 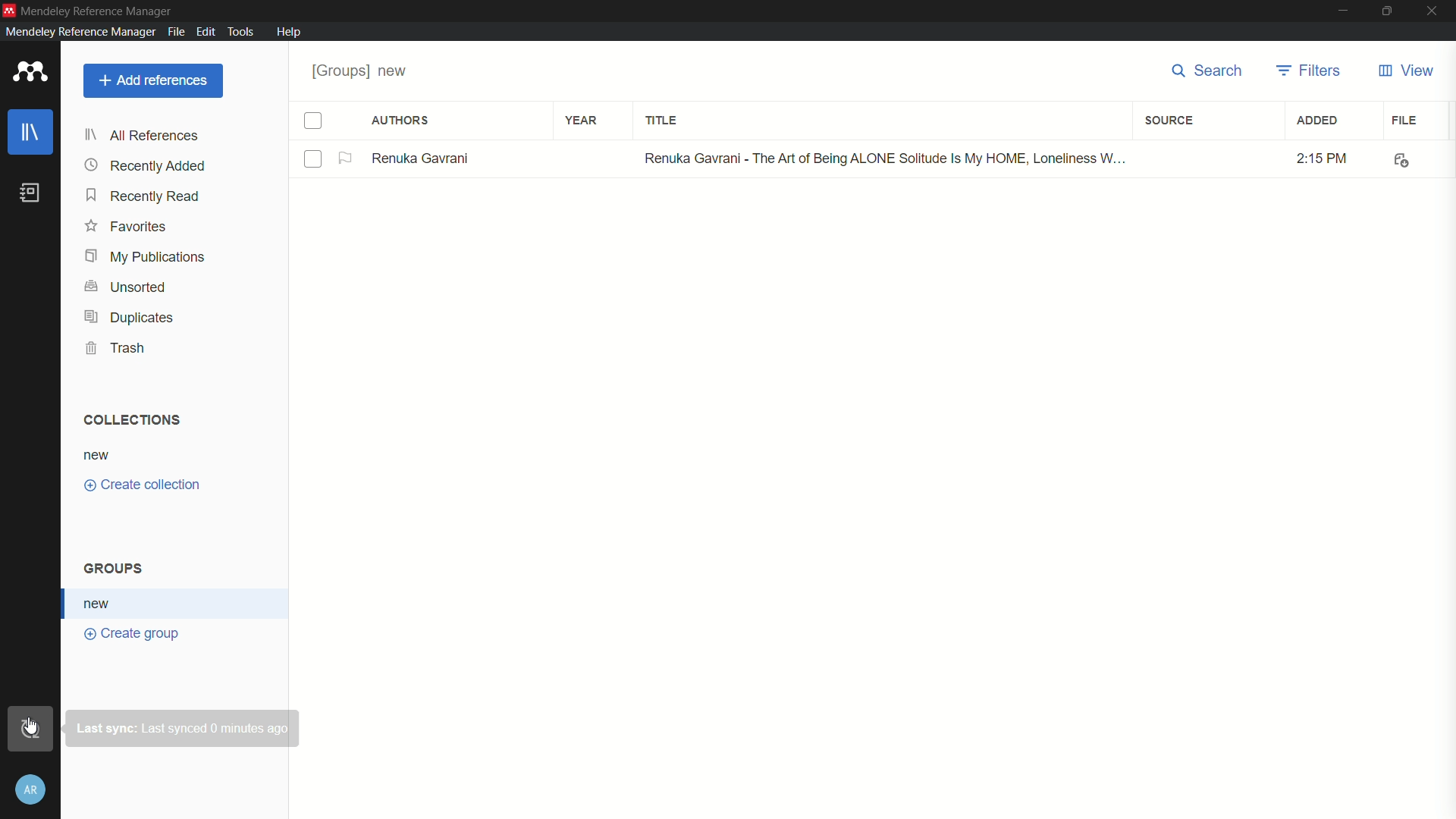 What do you see at coordinates (144, 135) in the screenshot?
I see `all references` at bounding box center [144, 135].